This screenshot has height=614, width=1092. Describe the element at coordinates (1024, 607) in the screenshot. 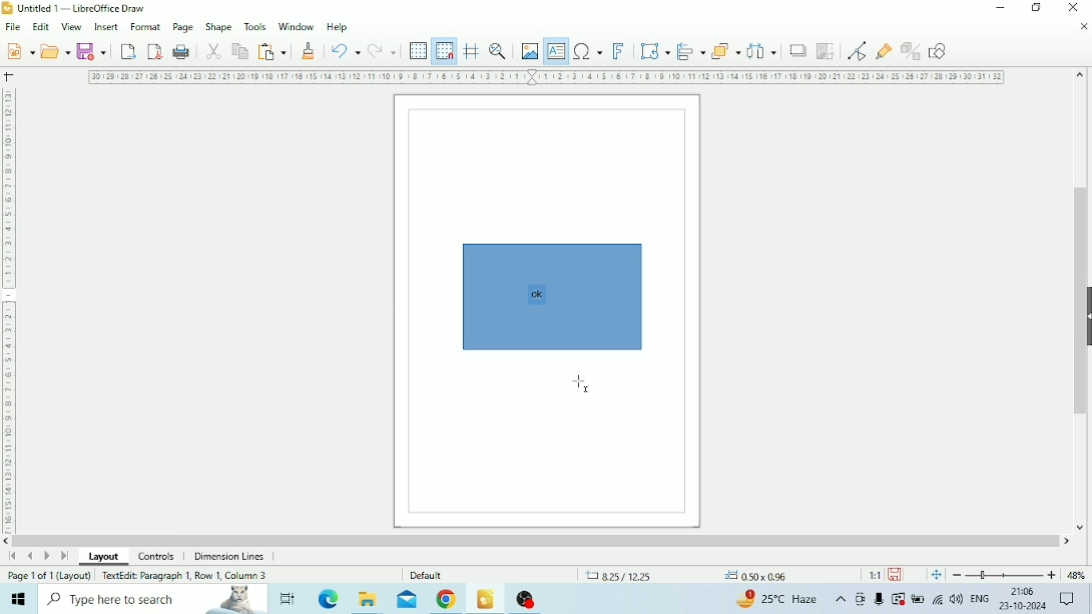

I see `Date` at that location.